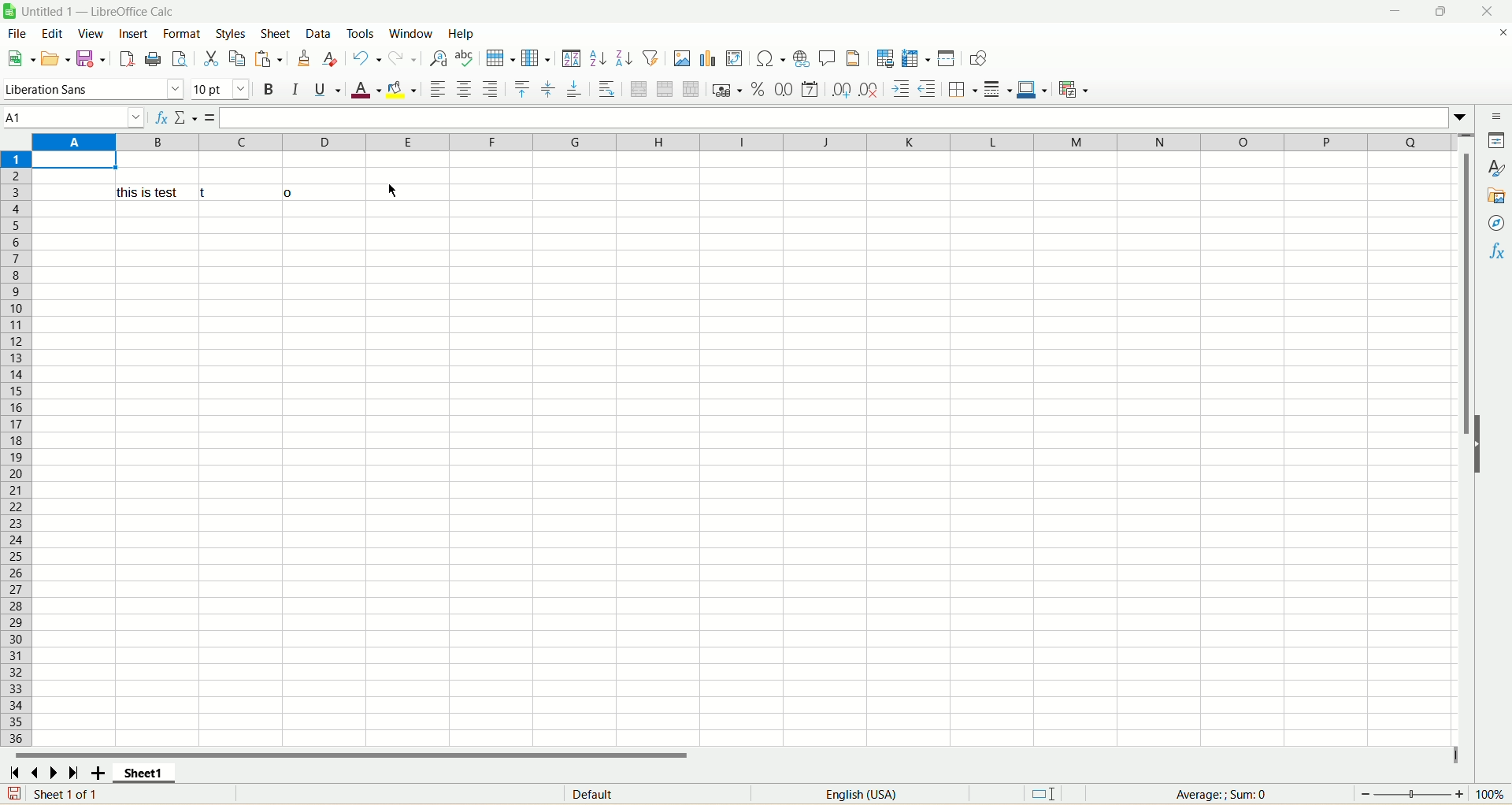  Describe the element at coordinates (77, 796) in the screenshot. I see `sheet number` at that location.